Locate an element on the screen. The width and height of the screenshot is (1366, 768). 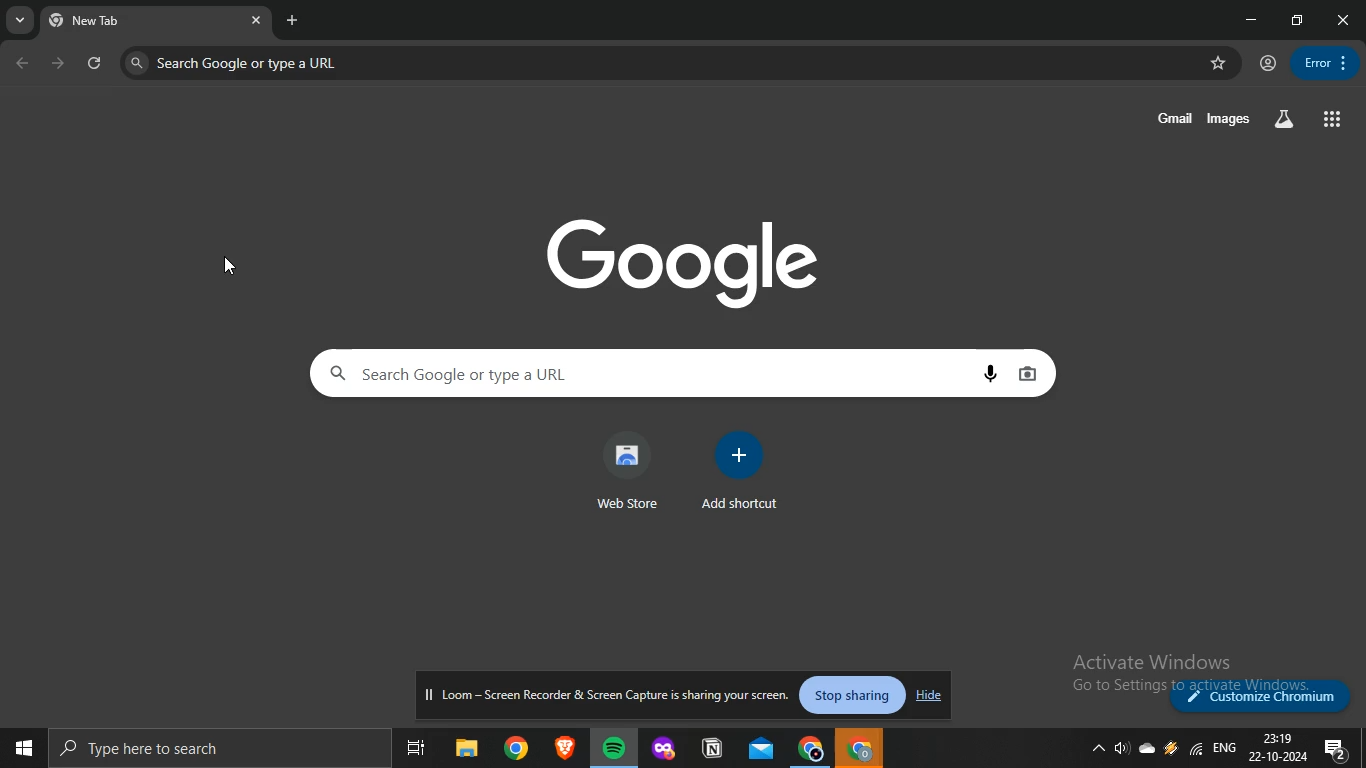
onedrive is located at coordinates (1147, 747).